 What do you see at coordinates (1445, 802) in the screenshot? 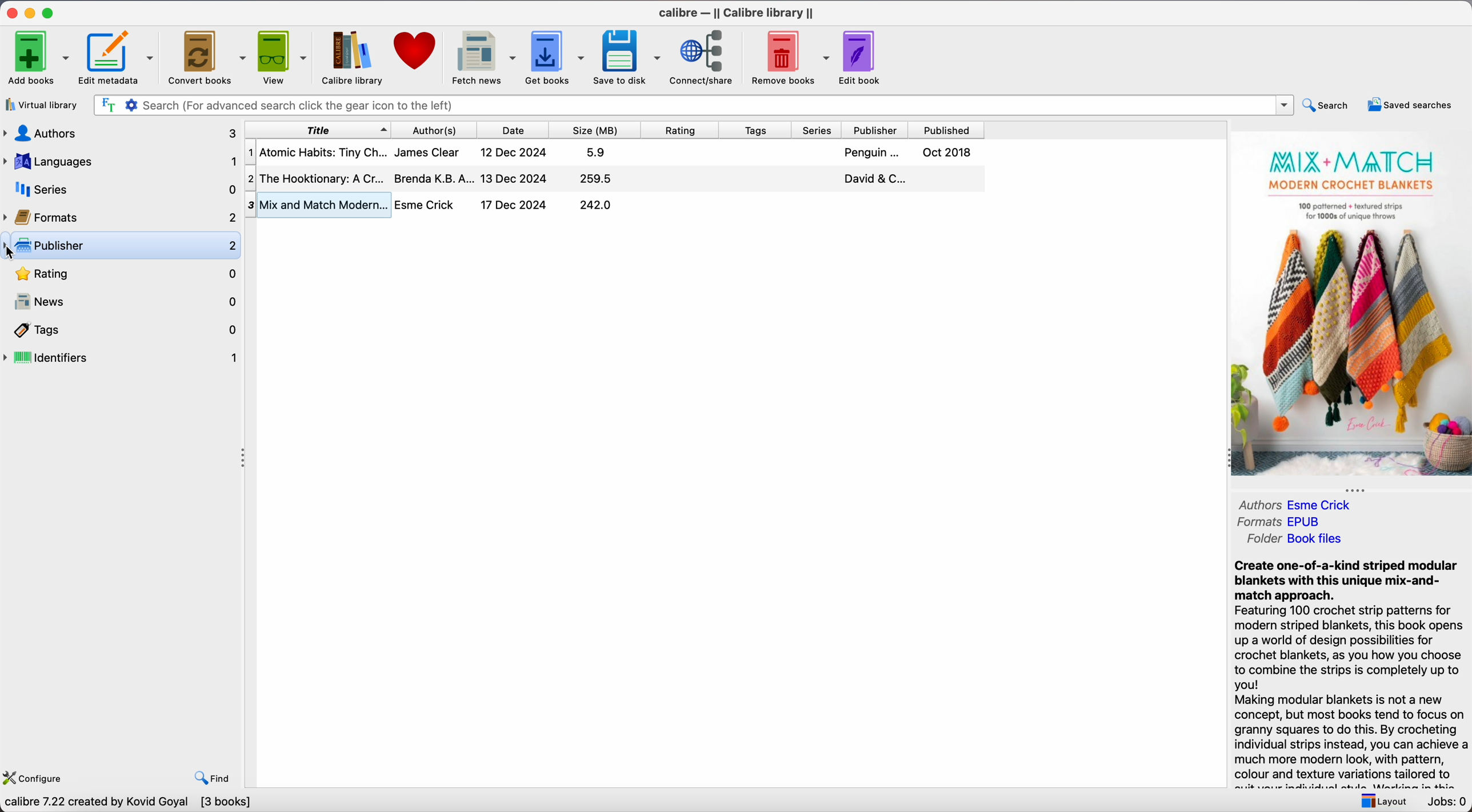
I see `Jobs: 0` at bounding box center [1445, 802].